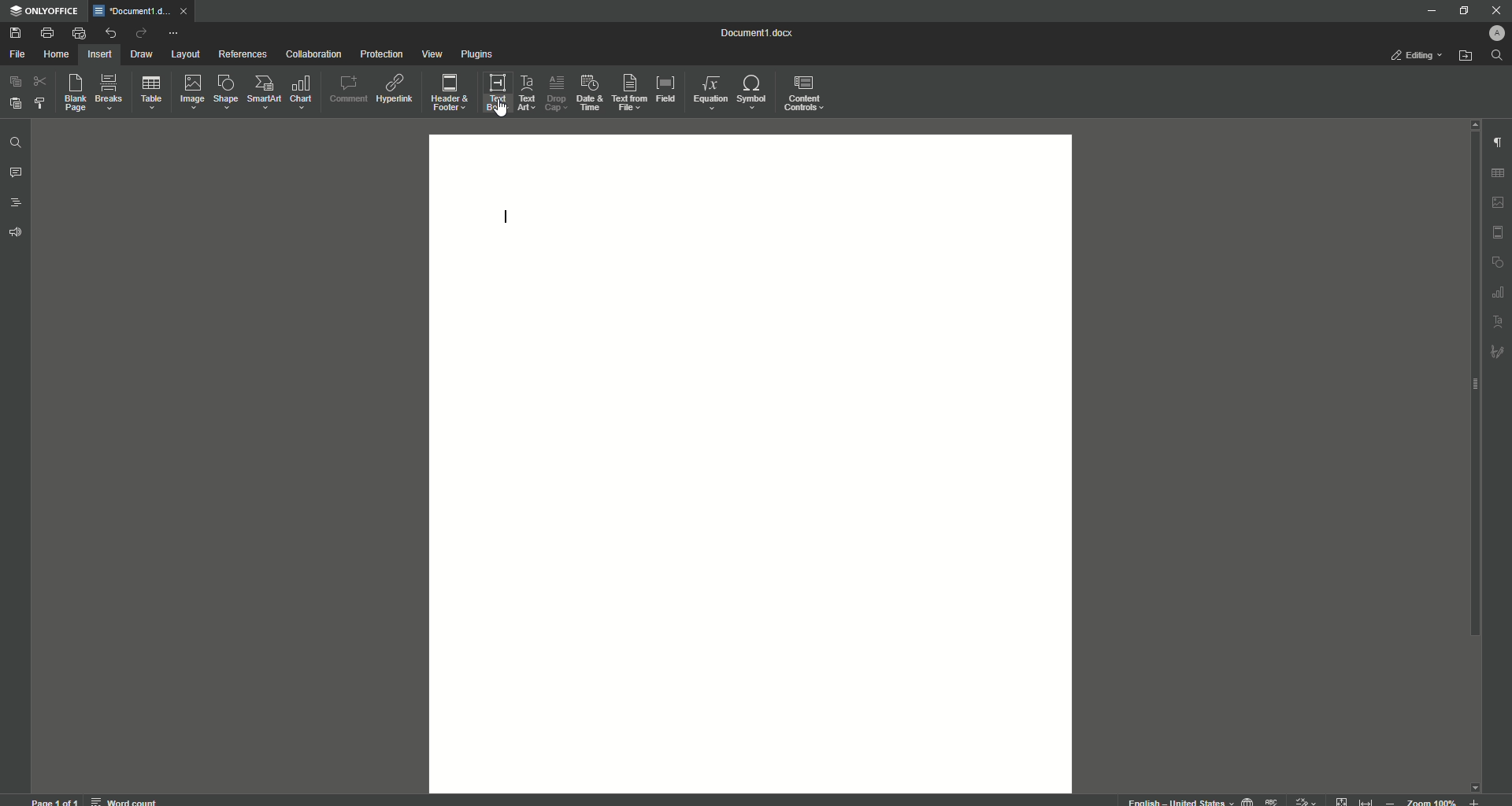  Describe the element at coordinates (16, 82) in the screenshot. I see `Copy` at that location.